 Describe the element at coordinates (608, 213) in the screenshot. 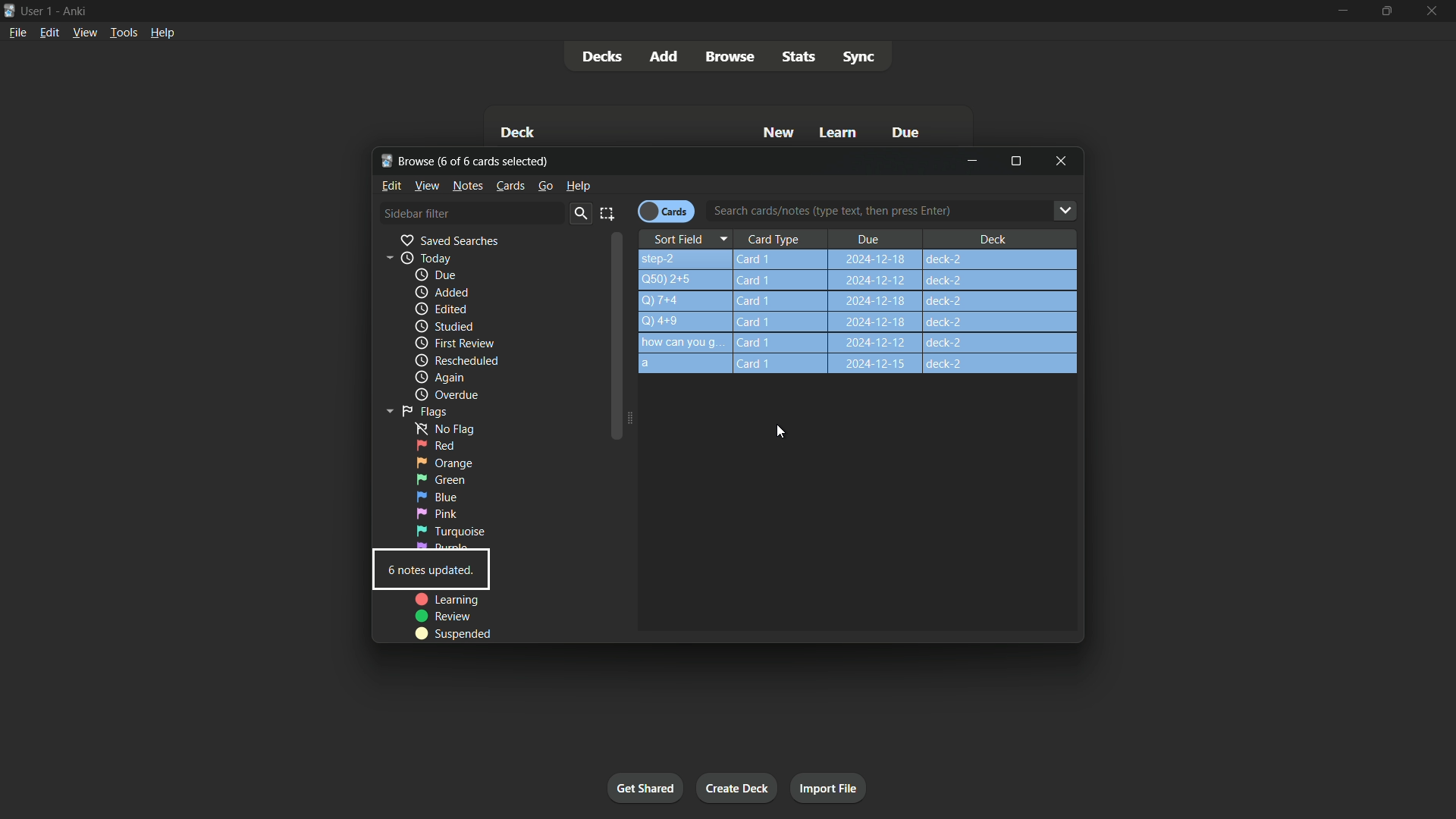

I see `select` at that location.